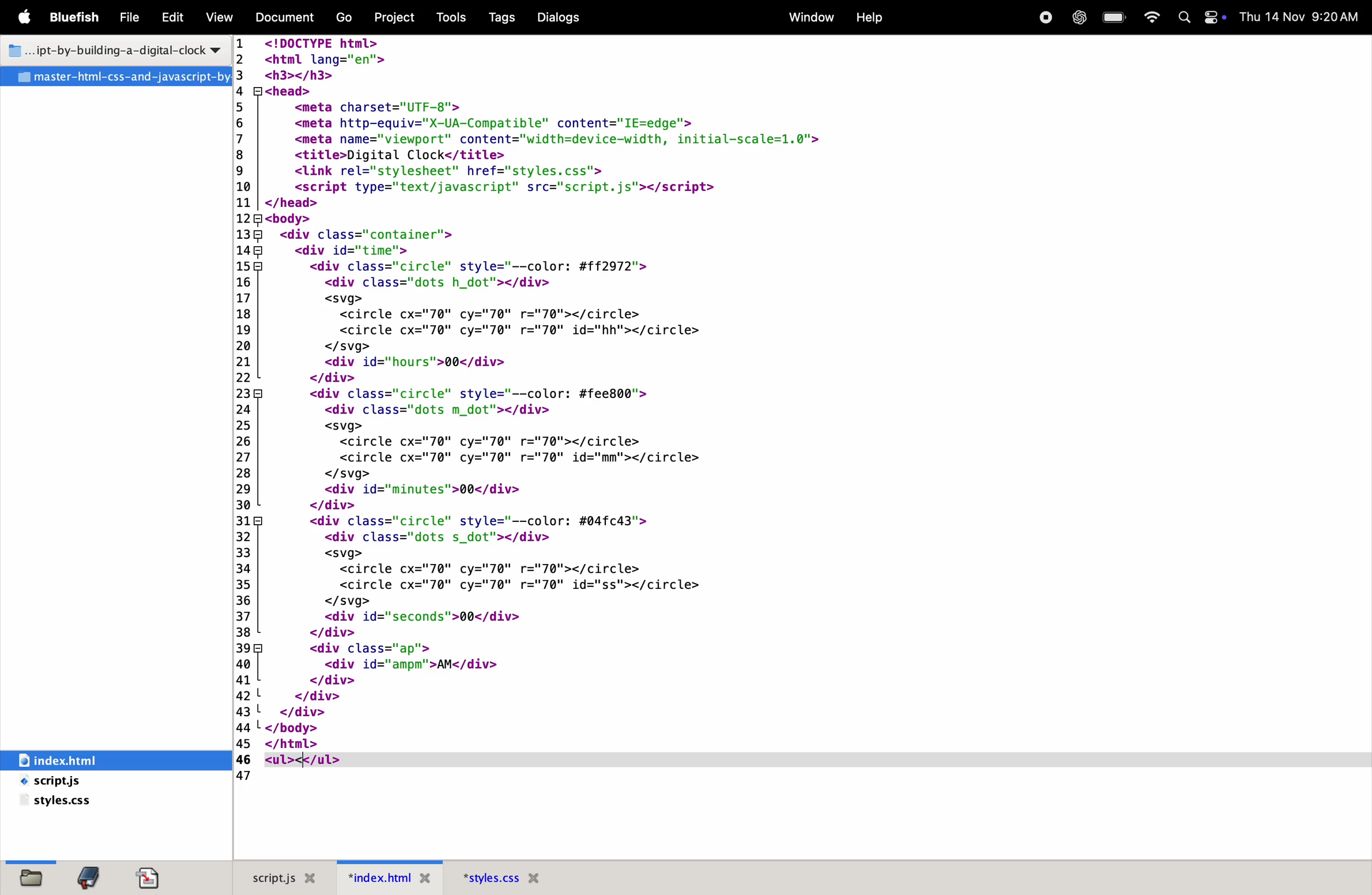  What do you see at coordinates (281, 877) in the screenshot?
I see `script.js` at bounding box center [281, 877].